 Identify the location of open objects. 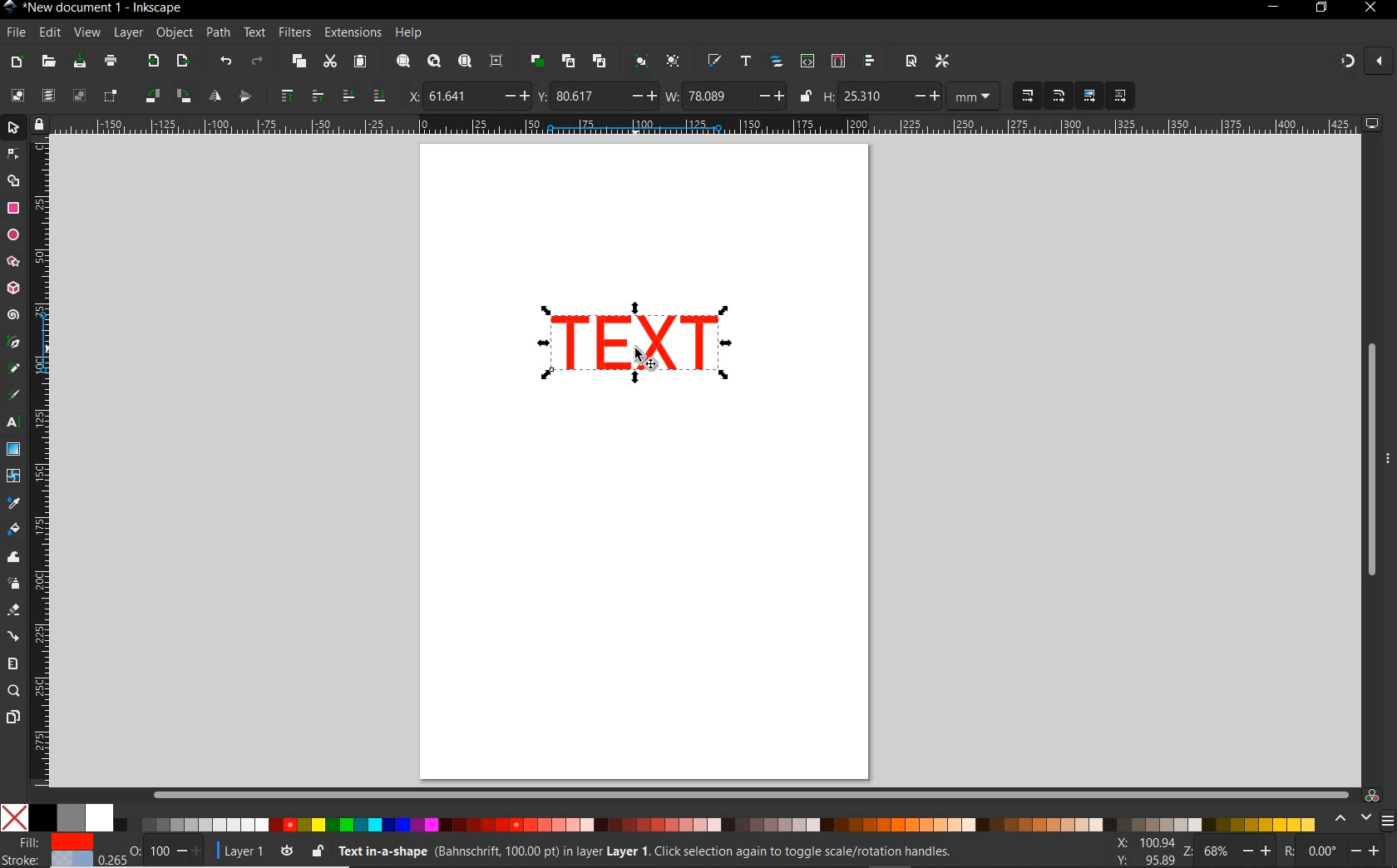
(777, 63).